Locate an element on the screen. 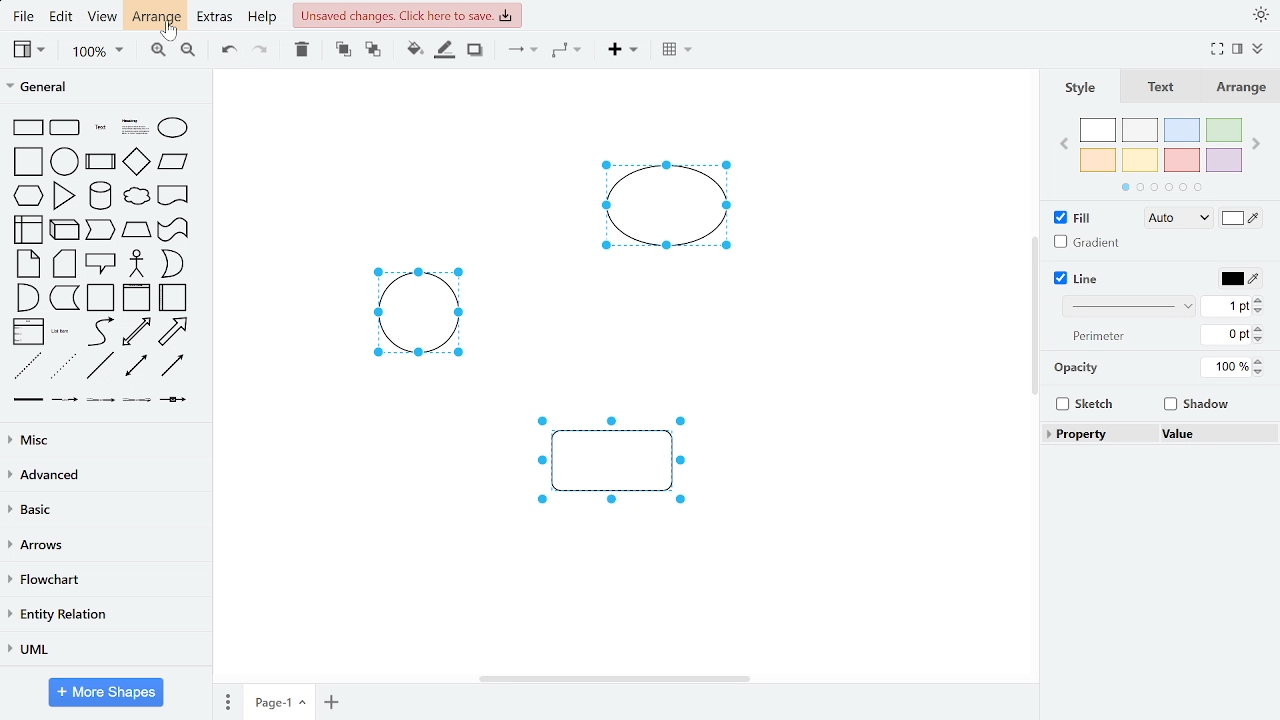 The image size is (1280, 720). 100% is located at coordinates (97, 52).